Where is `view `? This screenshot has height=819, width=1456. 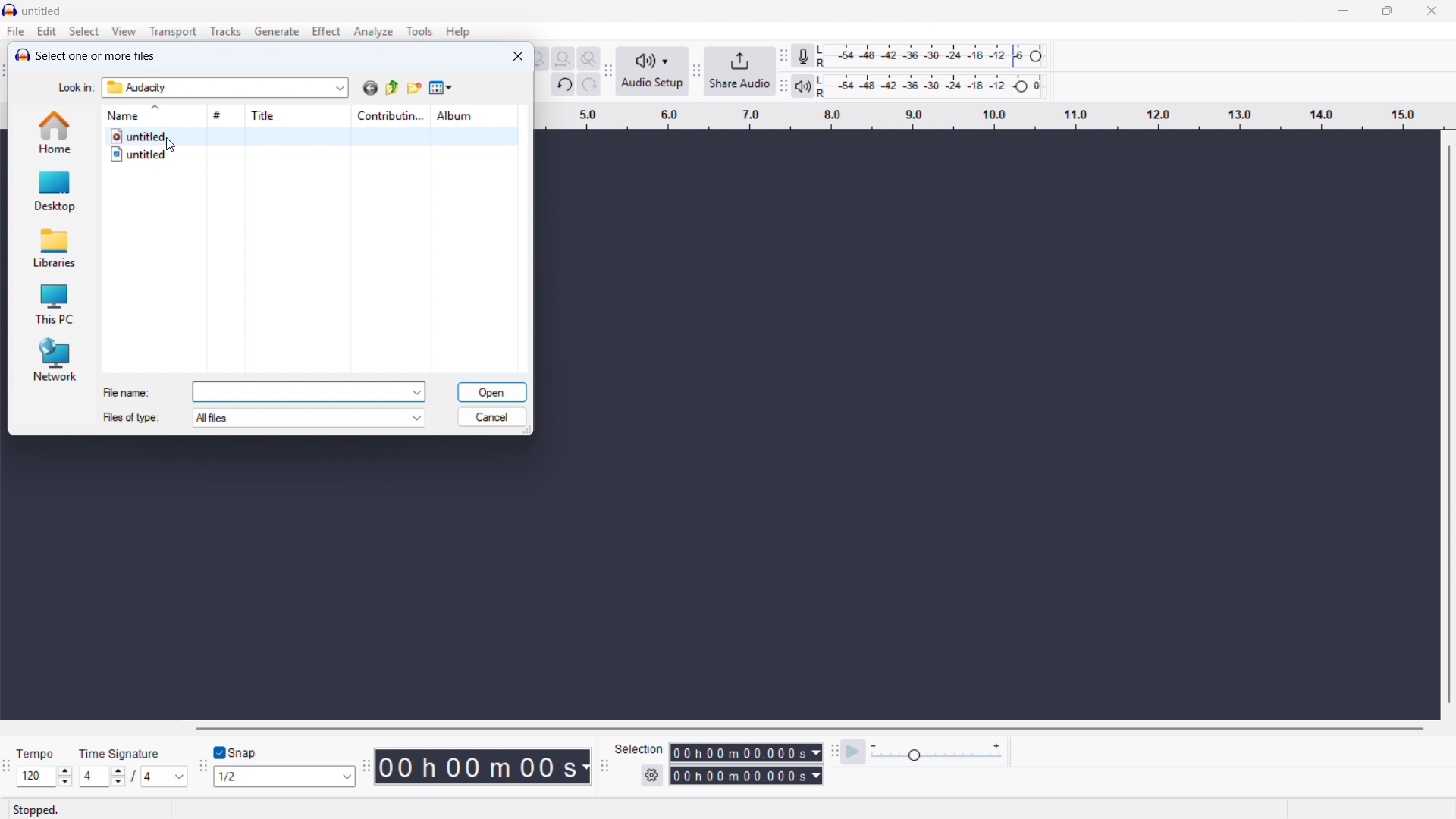
view  is located at coordinates (124, 31).